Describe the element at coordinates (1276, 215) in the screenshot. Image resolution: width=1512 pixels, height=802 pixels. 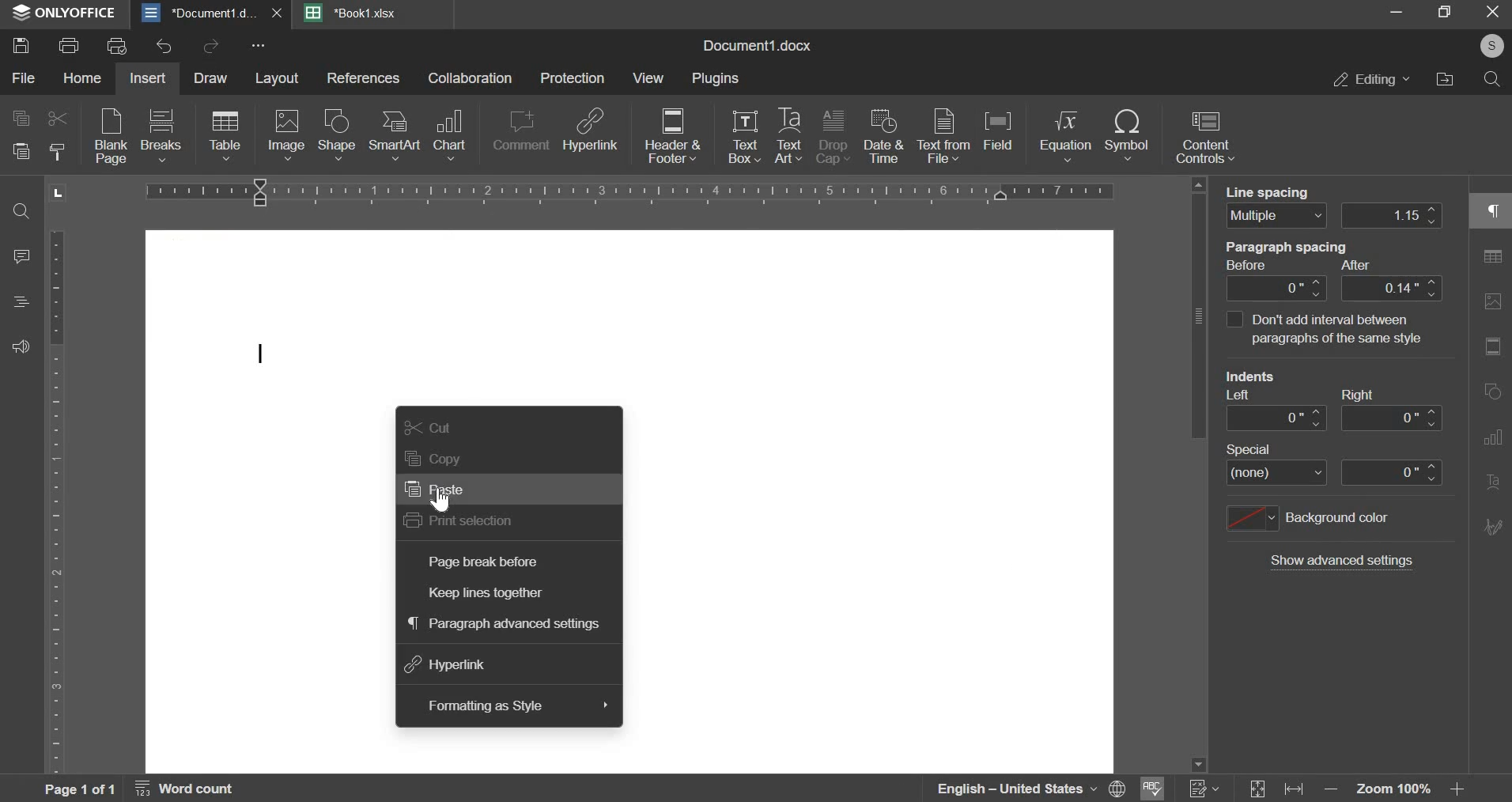
I see `line spacing` at that location.